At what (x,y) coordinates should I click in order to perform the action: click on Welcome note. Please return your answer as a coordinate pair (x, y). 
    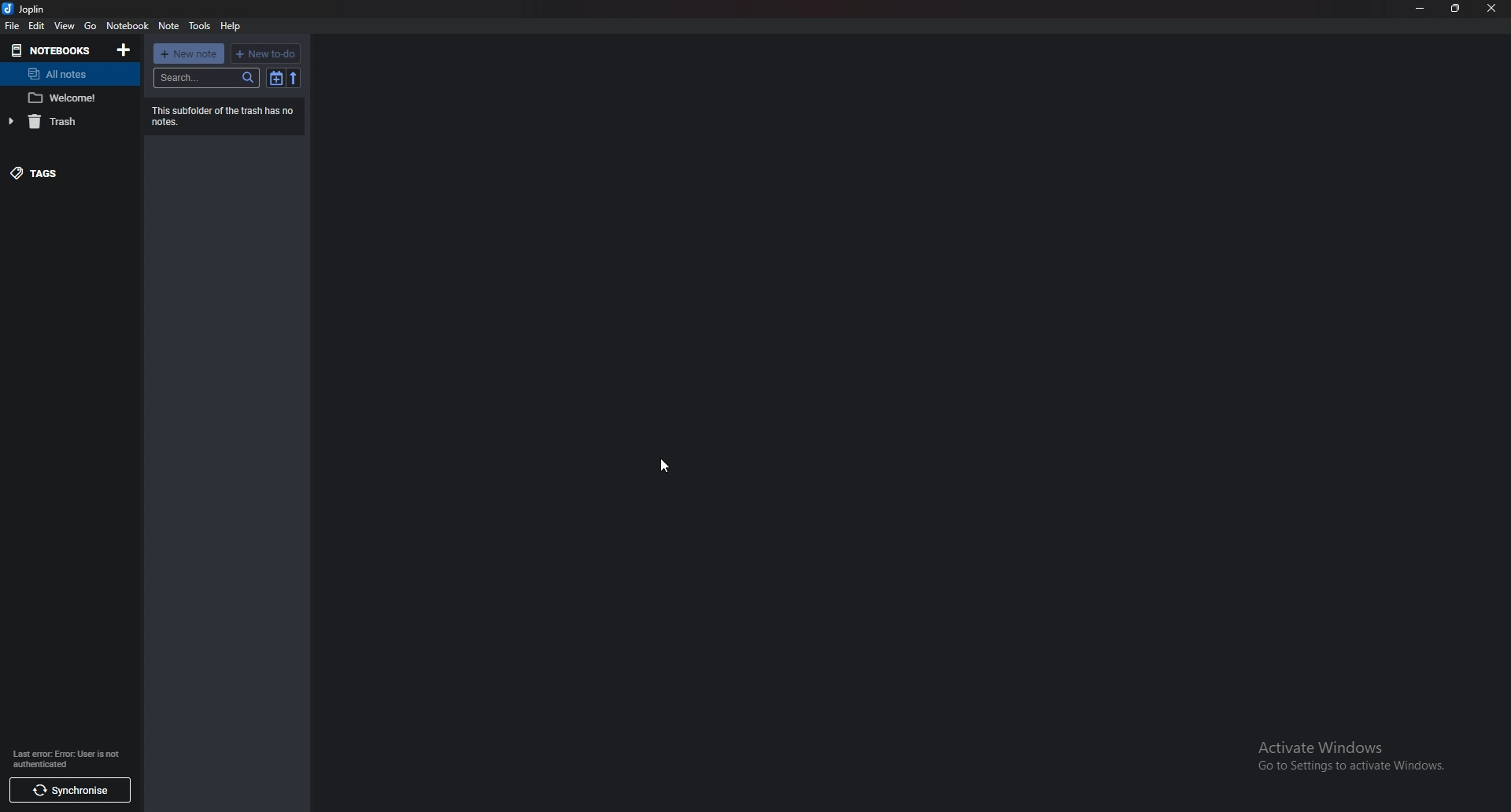
    Looking at the image, I should click on (67, 97).